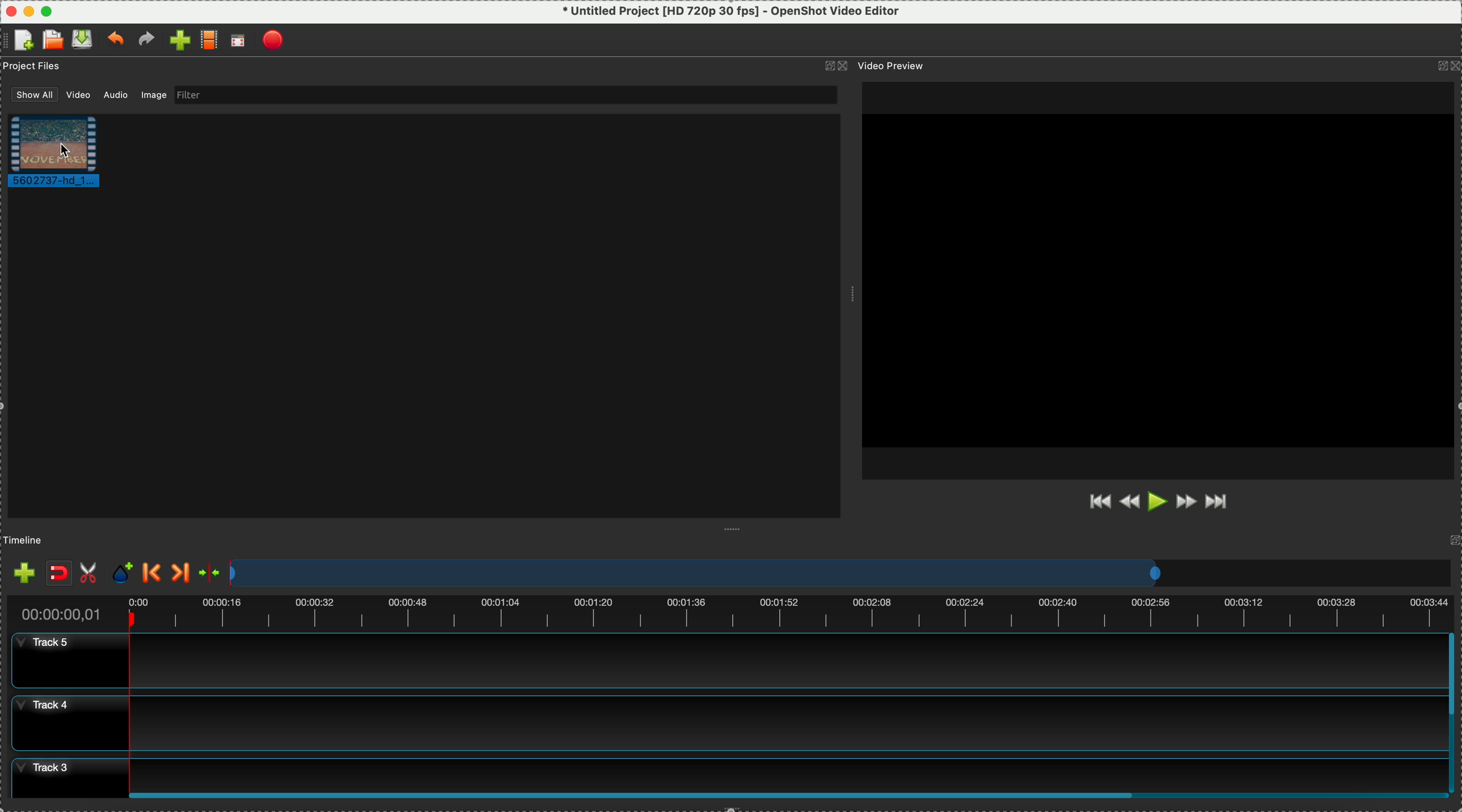 The image size is (1462, 812). I want to click on center the timeline on the playhead, so click(211, 573).